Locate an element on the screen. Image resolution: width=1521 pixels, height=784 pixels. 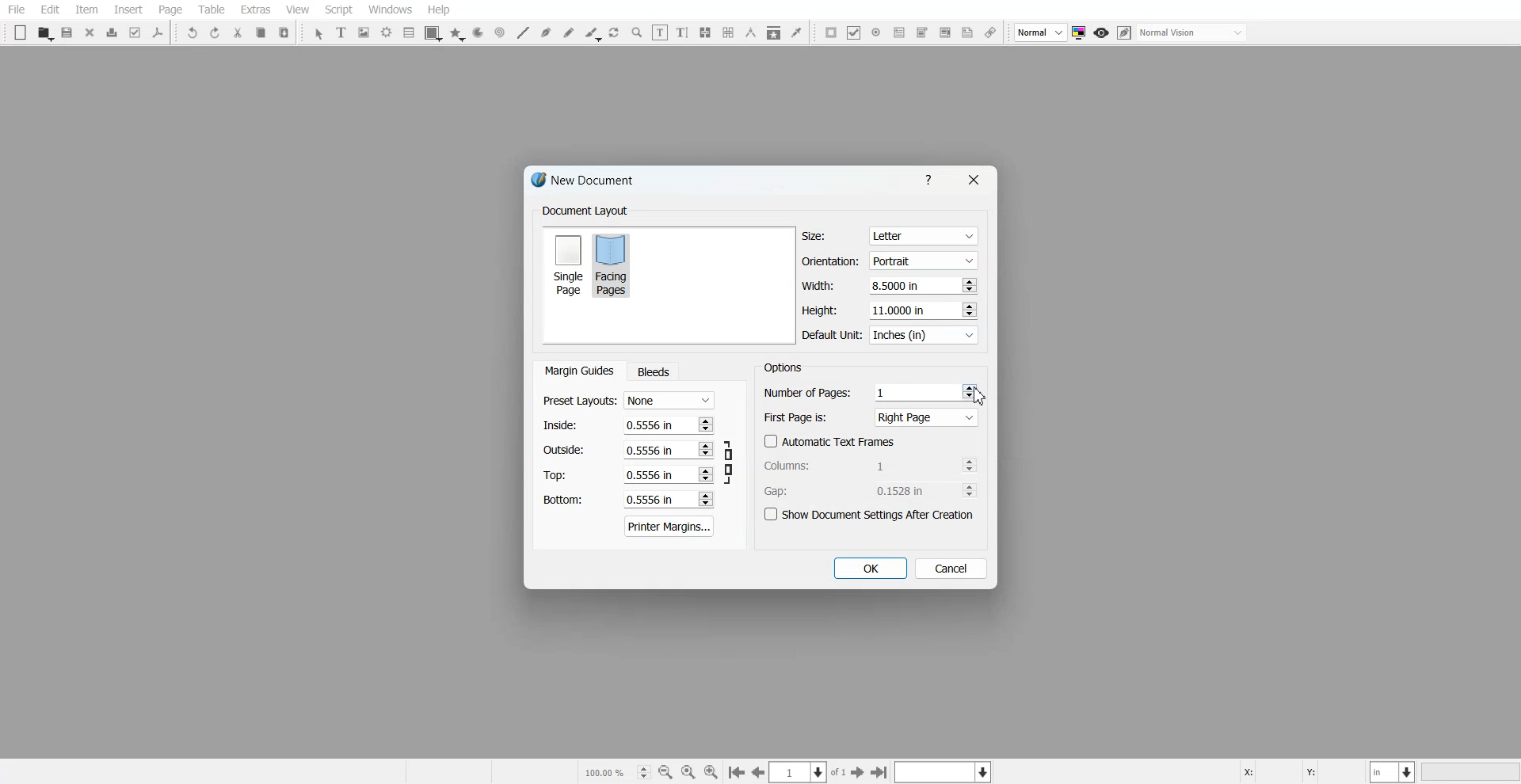
Eye Dropper is located at coordinates (796, 32).